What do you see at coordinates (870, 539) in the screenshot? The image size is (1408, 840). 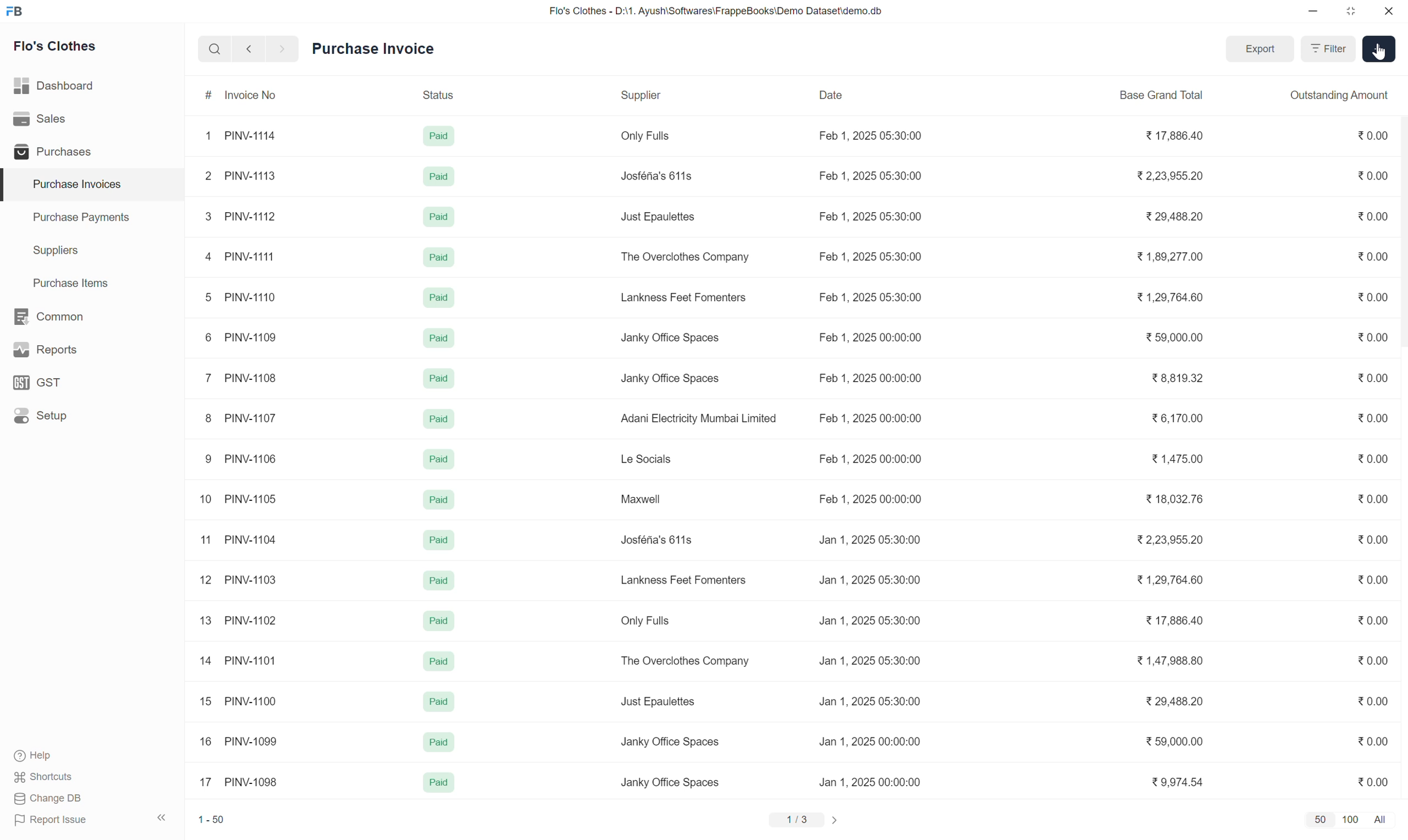 I see `Jan 1, 2025 05:30:00` at bounding box center [870, 539].